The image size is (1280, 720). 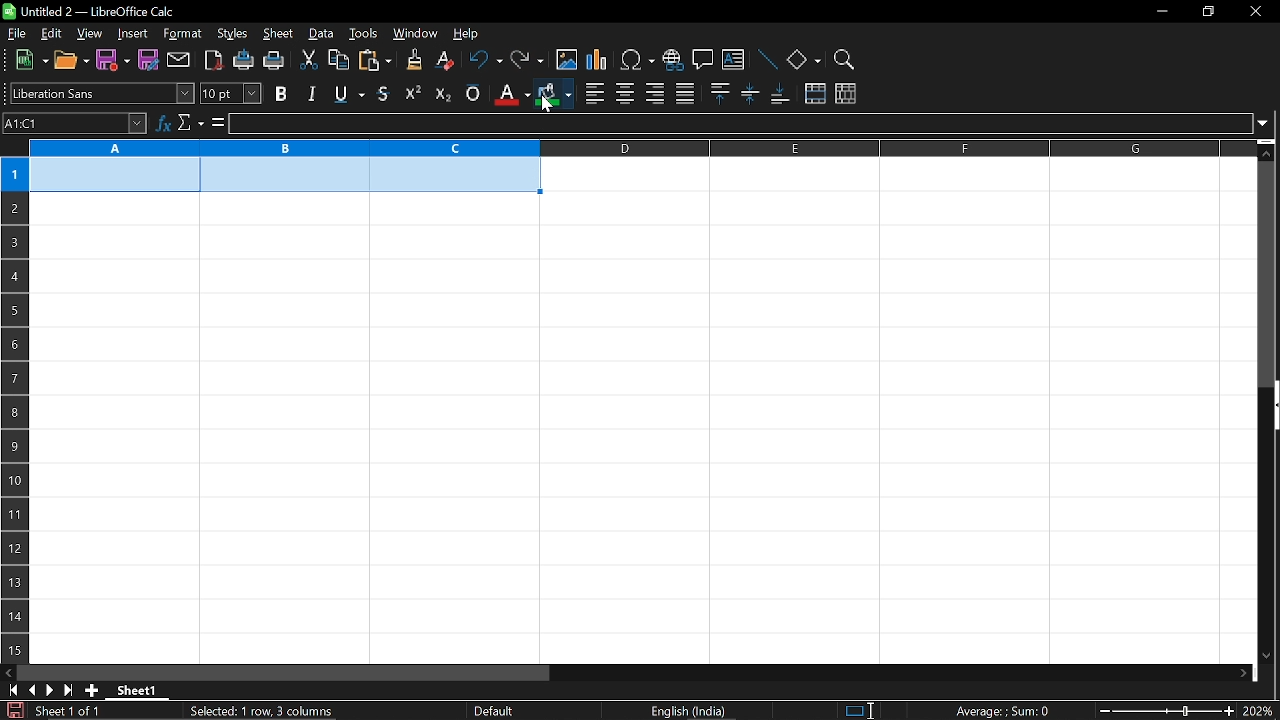 I want to click on open, so click(x=71, y=62).